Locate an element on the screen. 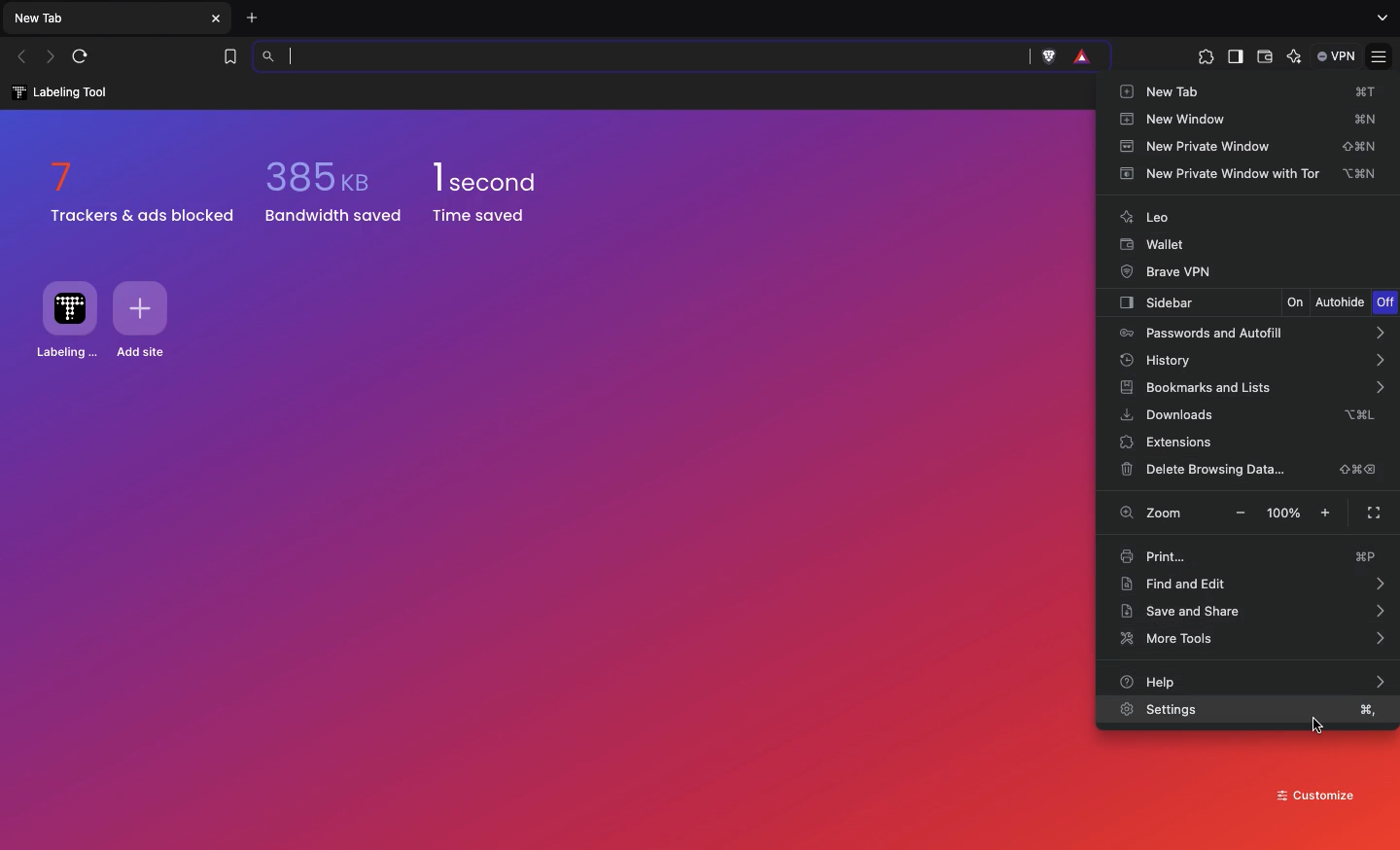 The height and width of the screenshot is (850, 1400). On is located at coordinates (1296, 301).